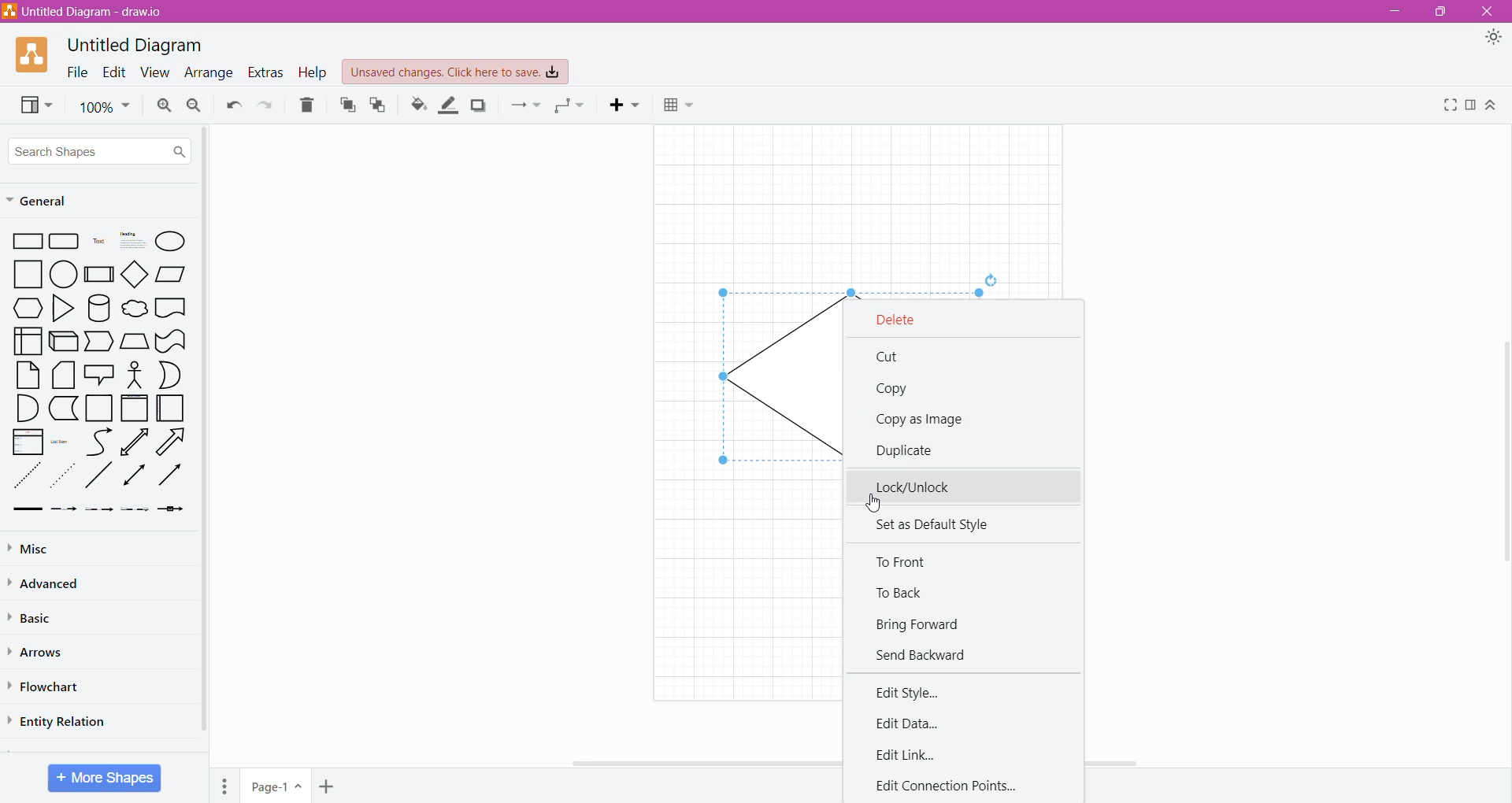 The width and height of the screenshot is (1512, 803). What do you see at coordinates (265, 72) in the screenshot?
I see `Extras` at bounding box center [265, 72].